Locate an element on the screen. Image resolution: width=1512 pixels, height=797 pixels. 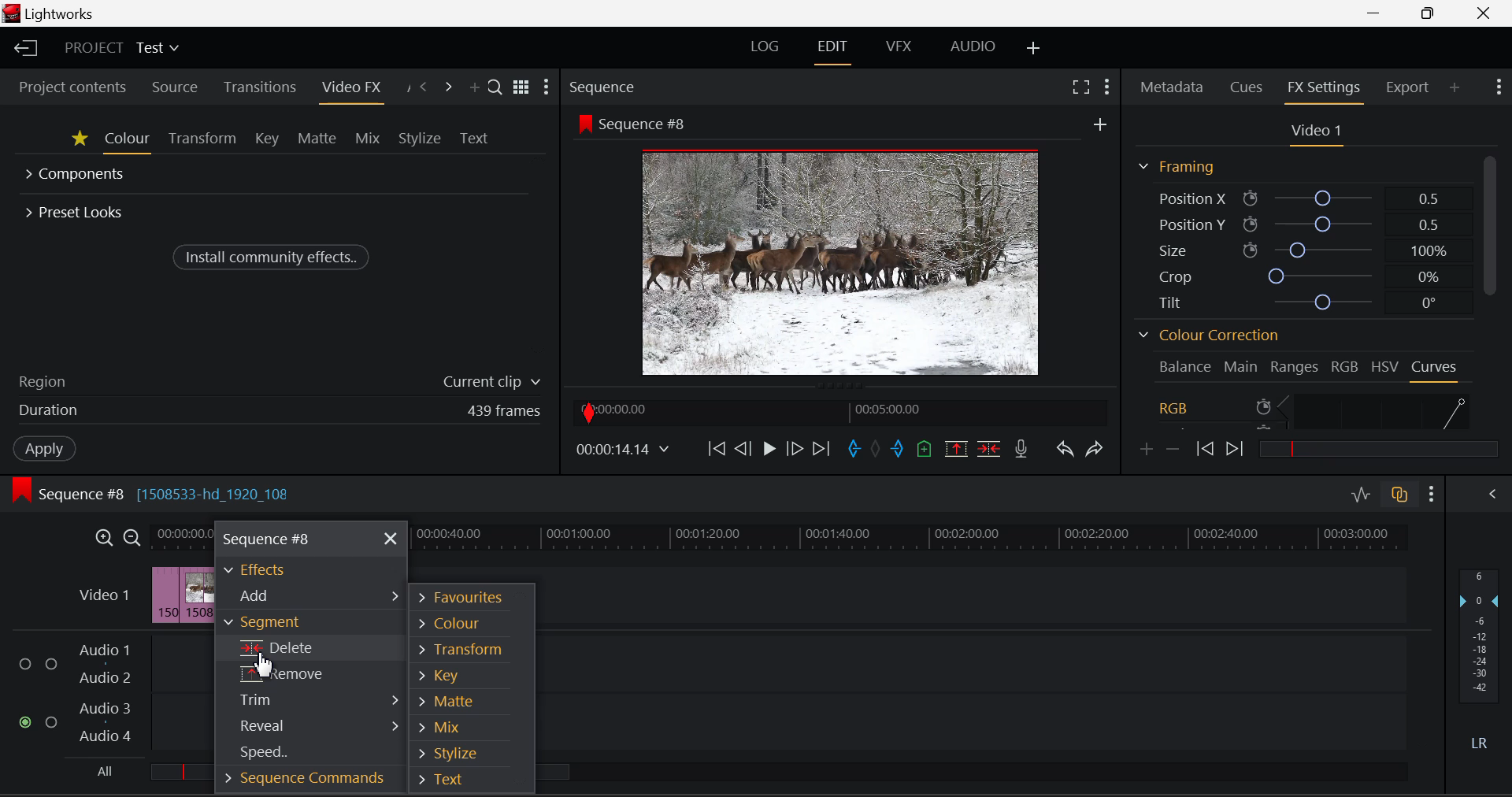
Toggle Audio Levels Editing is located at coordinates (1360, 495).